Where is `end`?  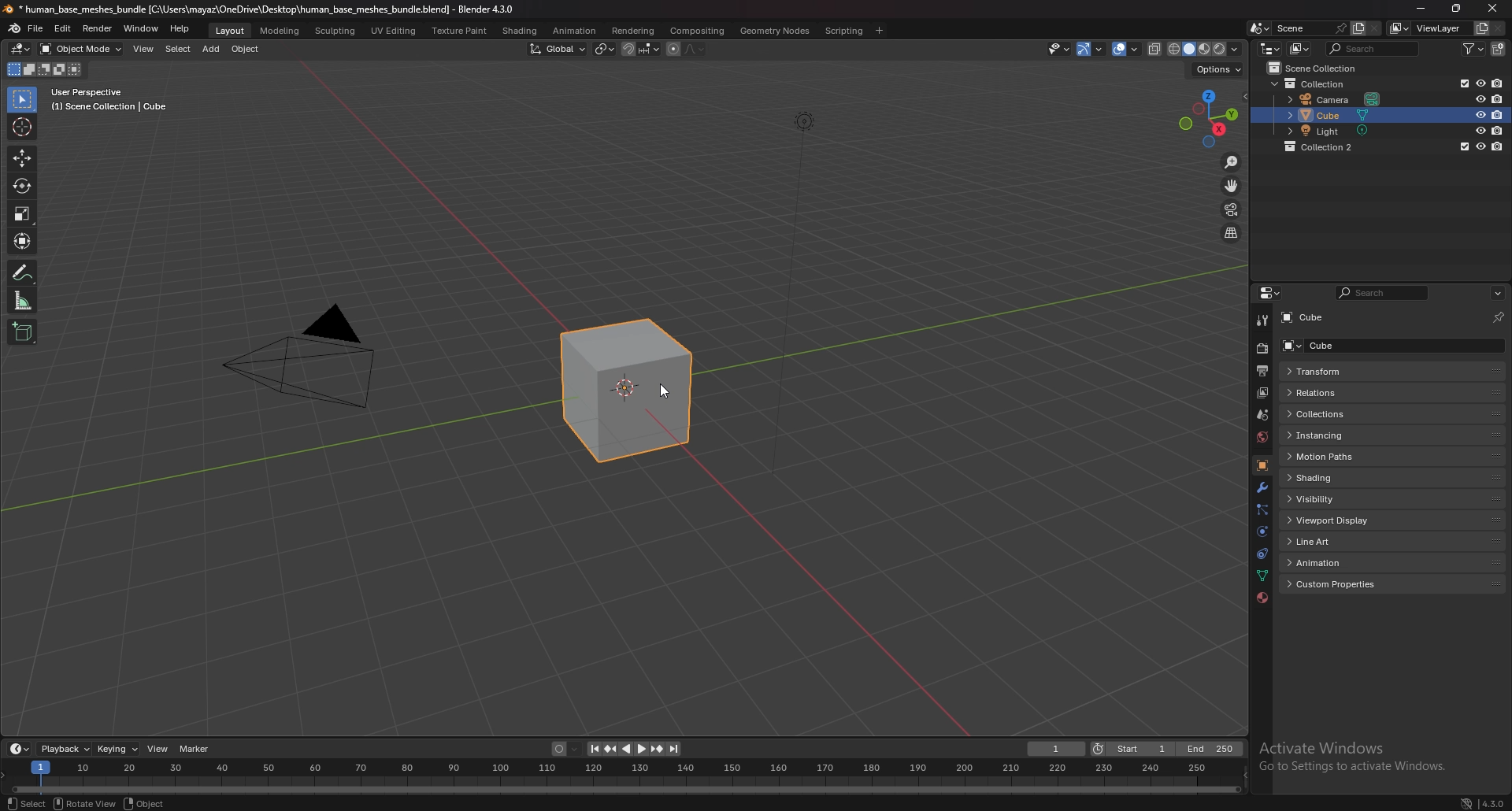 end is located at coordinates (1210, 749).